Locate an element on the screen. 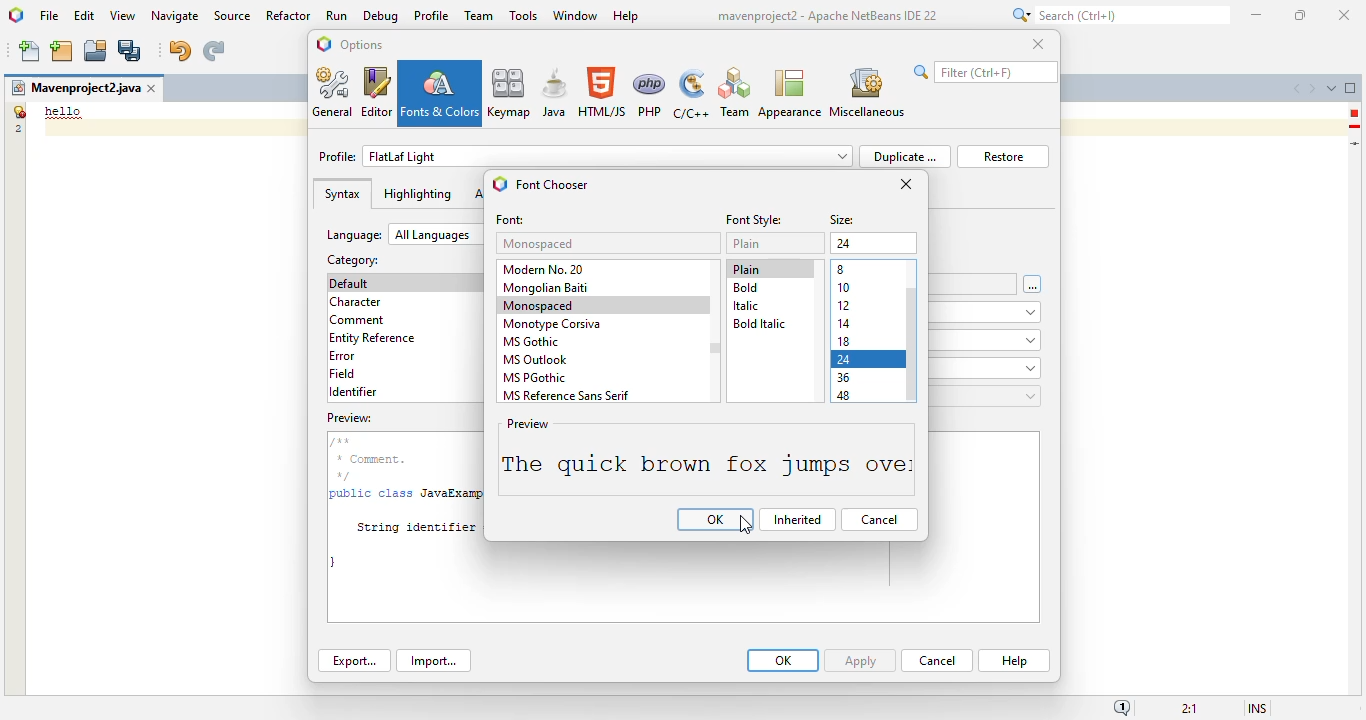 This screenshot has height=720, width=1366. edit is located at coordinates (85, 15).